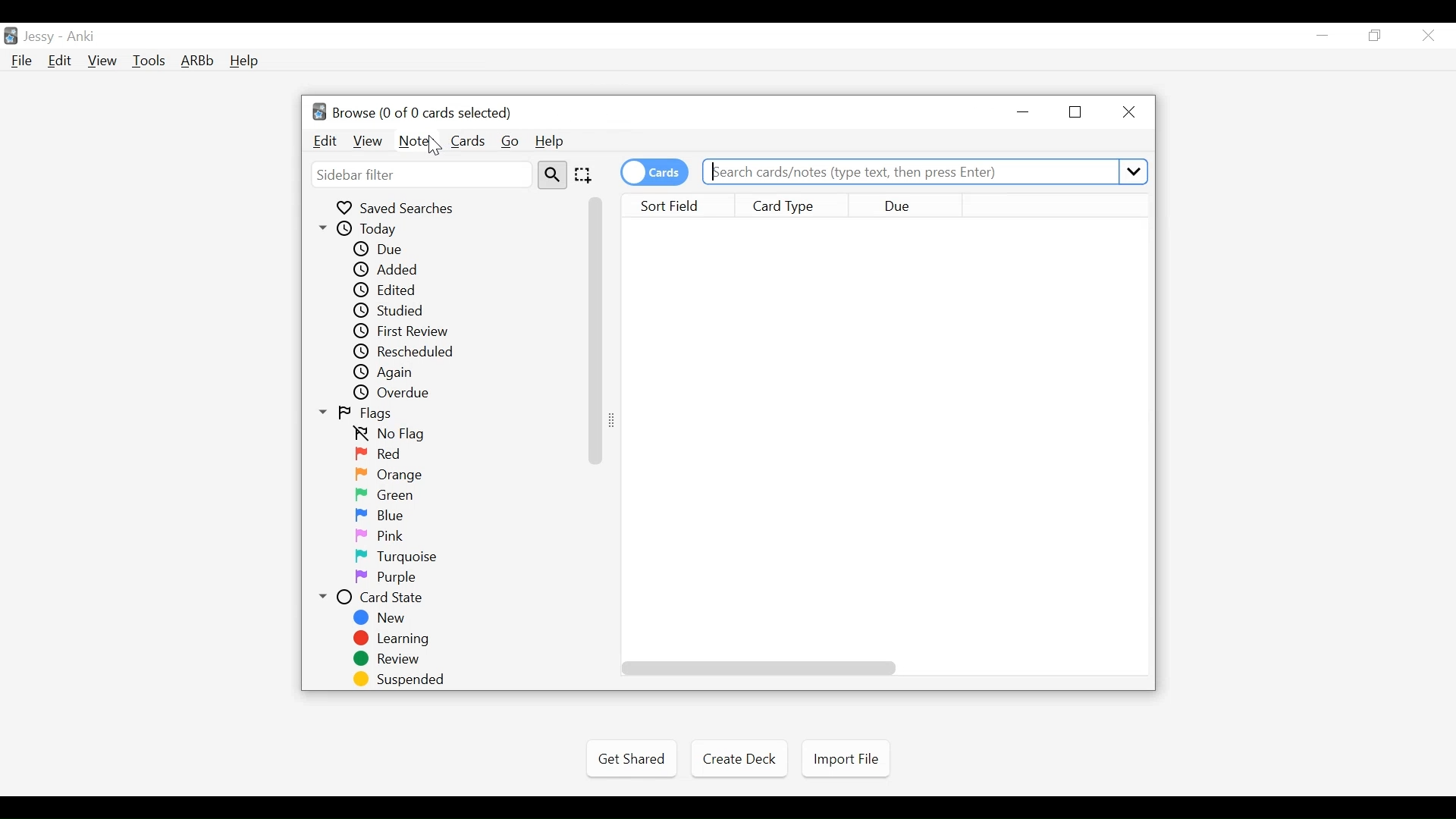 The image size is (1456, 819). Describe the element at coordinates (908, 205) in the screenshot. I see `Due` at that location.